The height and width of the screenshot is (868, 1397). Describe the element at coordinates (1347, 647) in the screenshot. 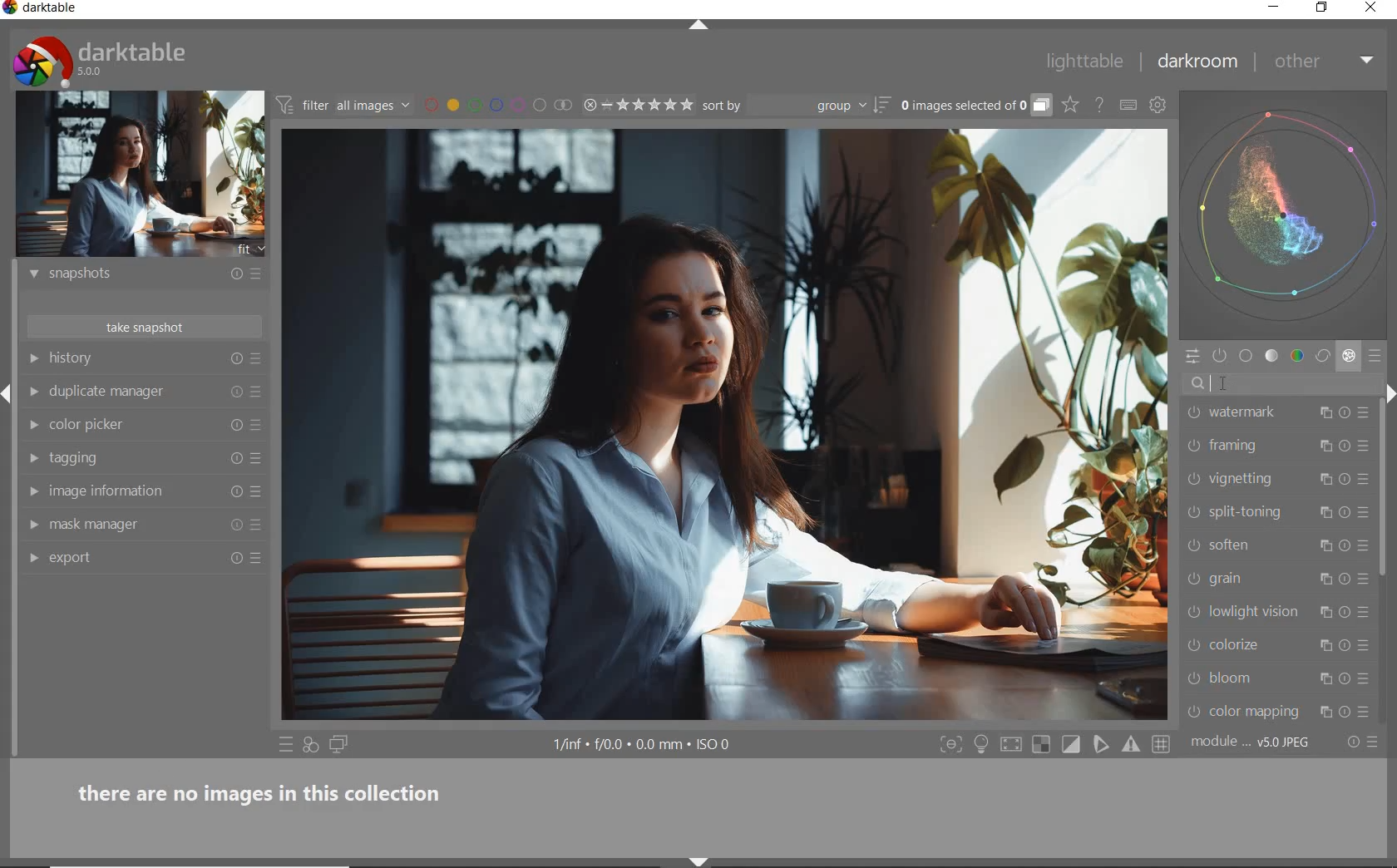

I see `reset` at that location.